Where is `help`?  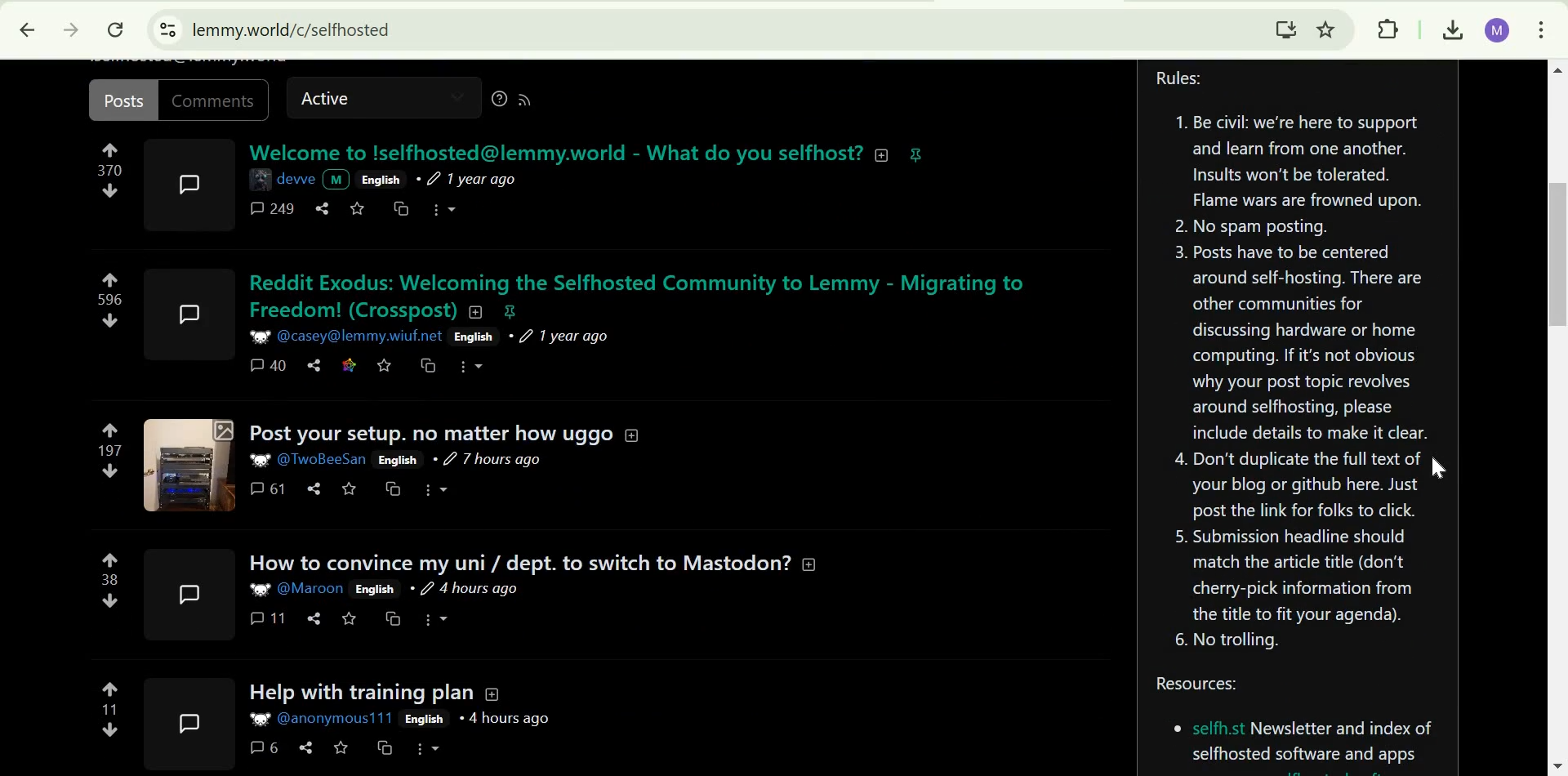 help is located at coordinates (494, 101).